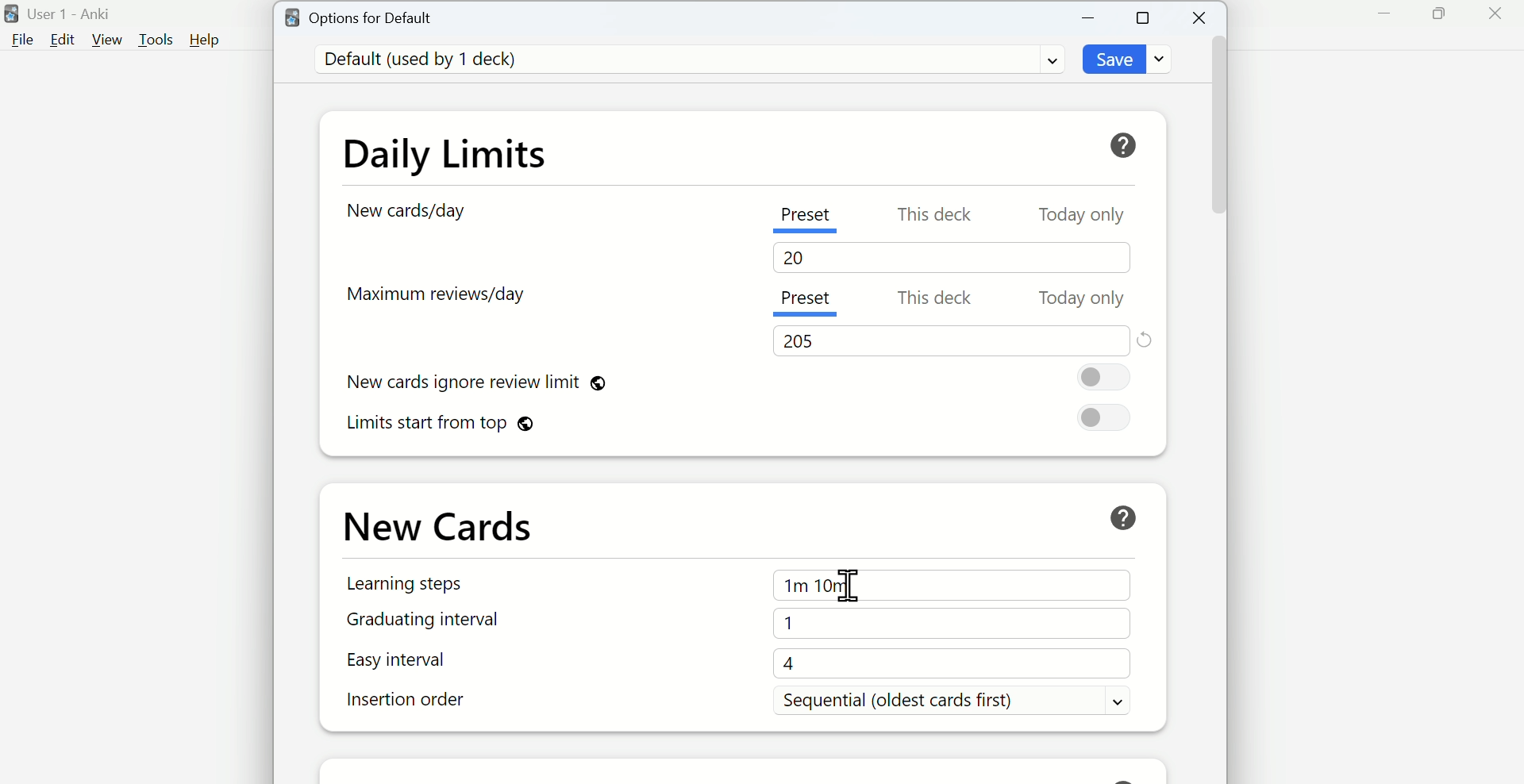 The width and height of the screenshot is (1524, 784). I want to click on On/Off toggle, so click(1106, 419).